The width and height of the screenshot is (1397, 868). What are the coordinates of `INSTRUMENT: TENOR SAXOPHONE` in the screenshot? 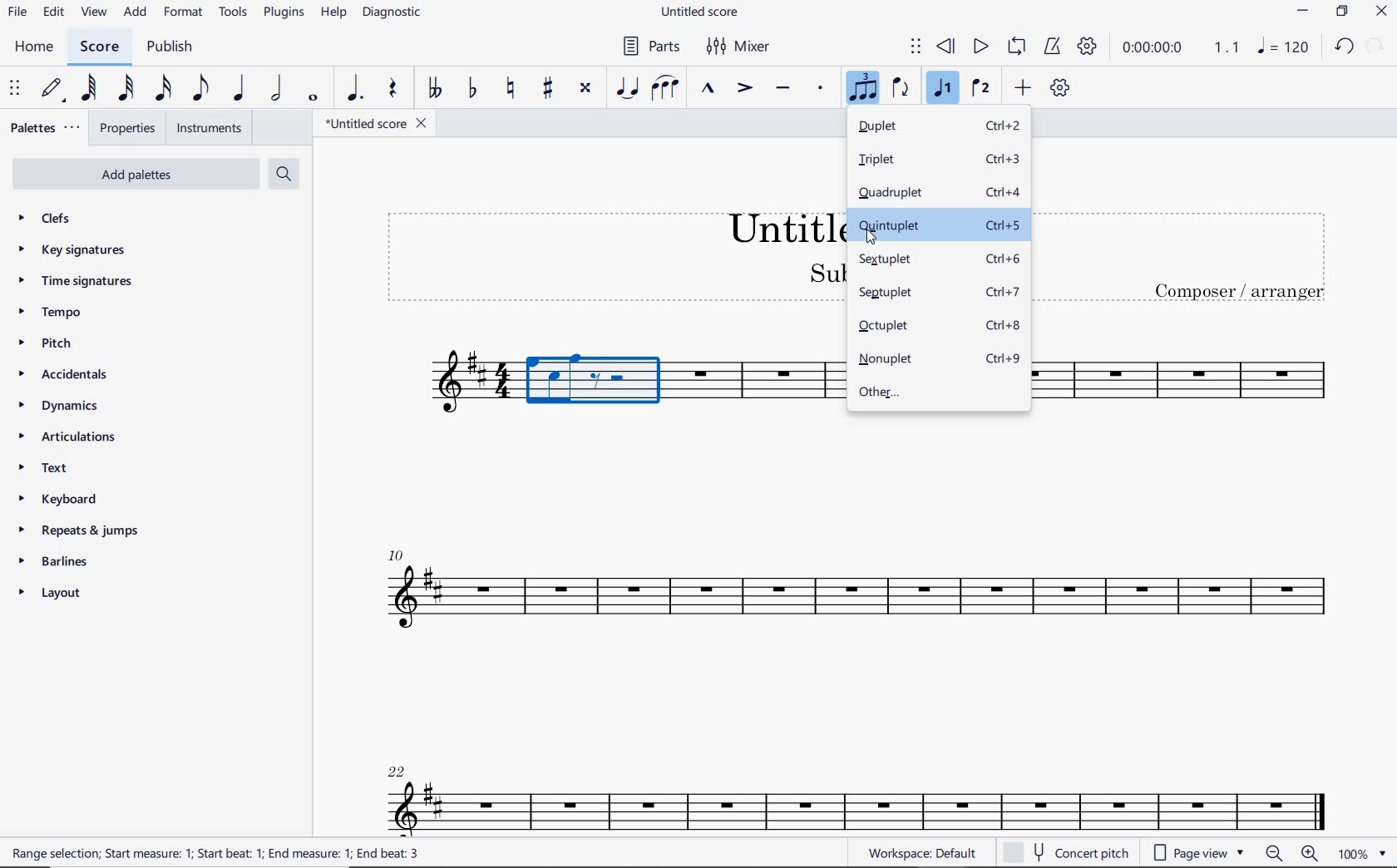 It's located at (1182, 382).